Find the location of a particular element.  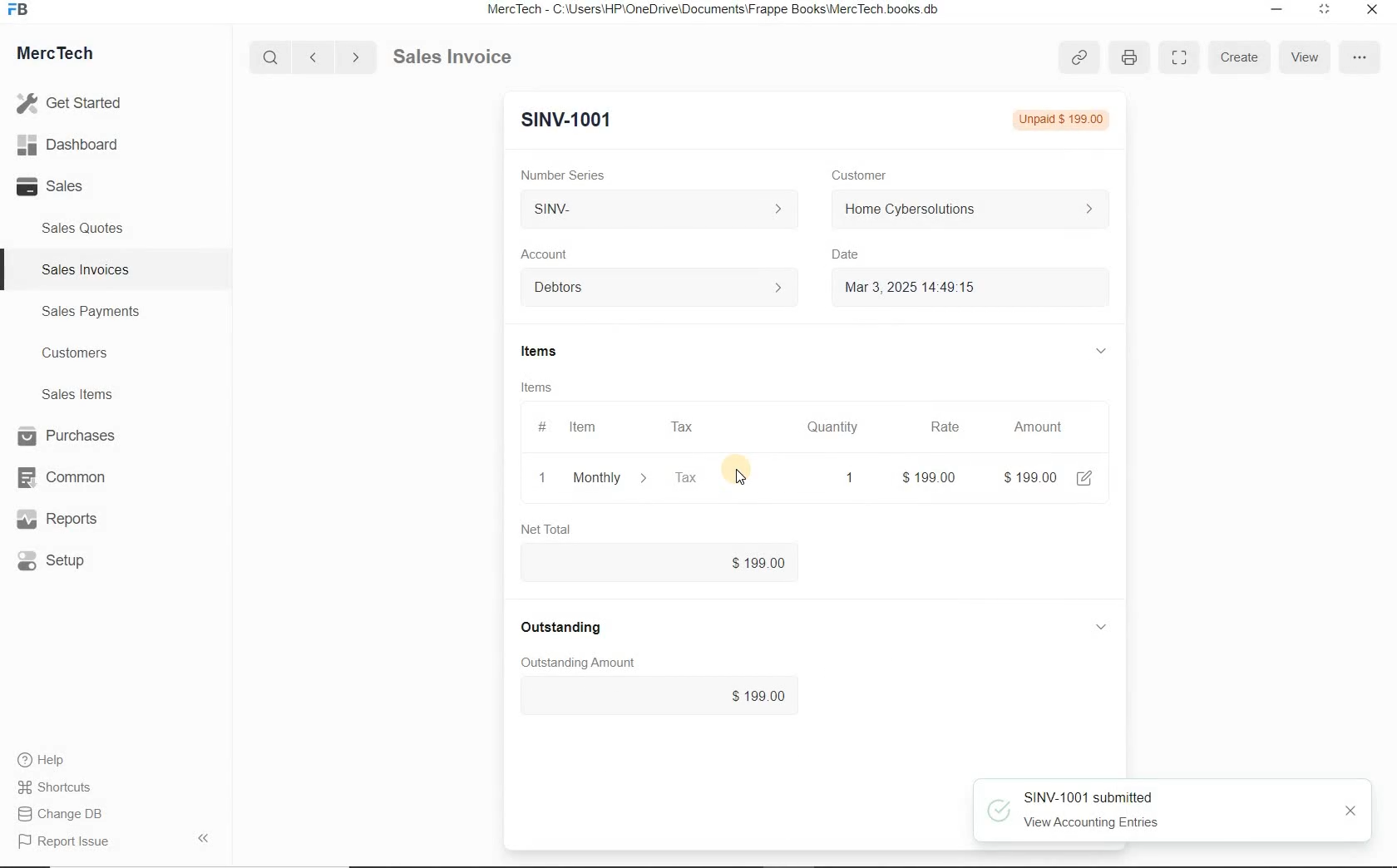

hide sub menu is located at coordinates (1089, 350).